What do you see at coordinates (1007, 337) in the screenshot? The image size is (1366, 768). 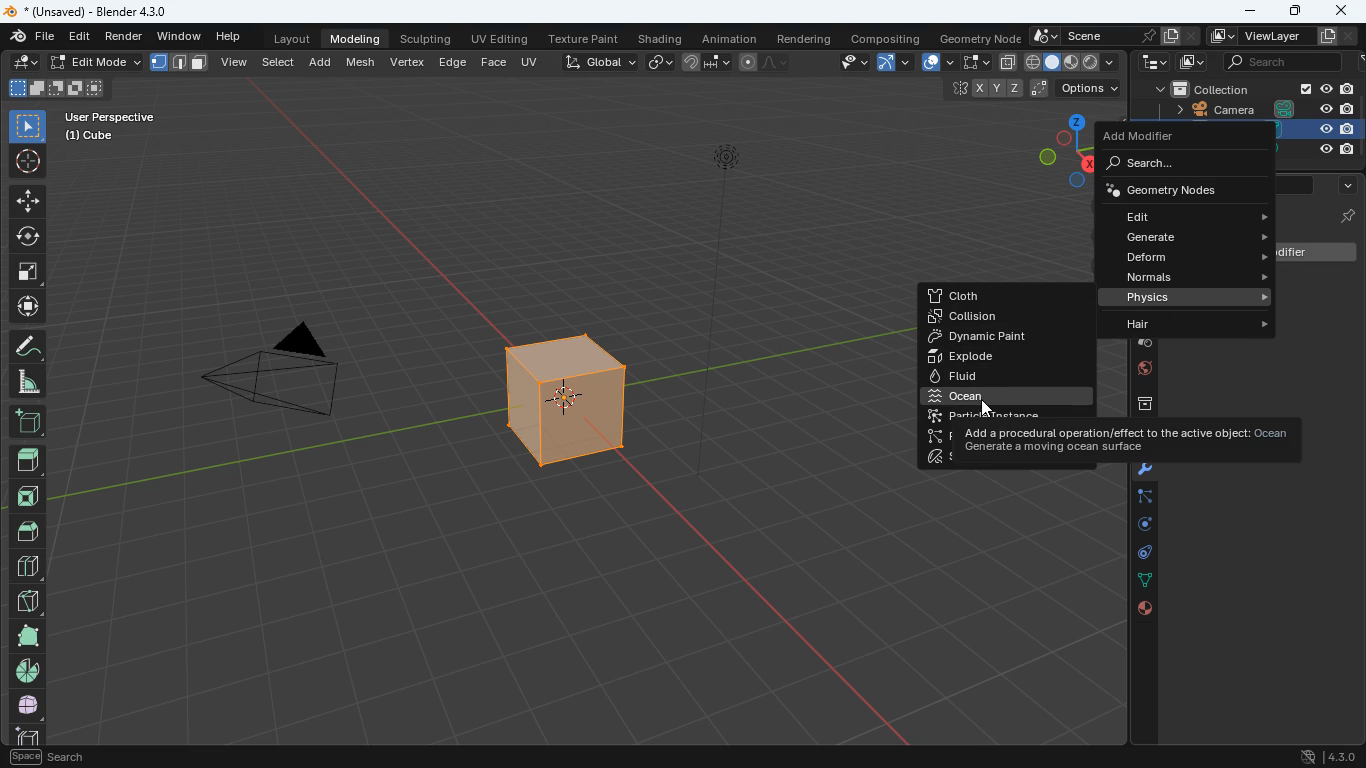 I see `dynamic paint` at bounding box center [1007, 337].